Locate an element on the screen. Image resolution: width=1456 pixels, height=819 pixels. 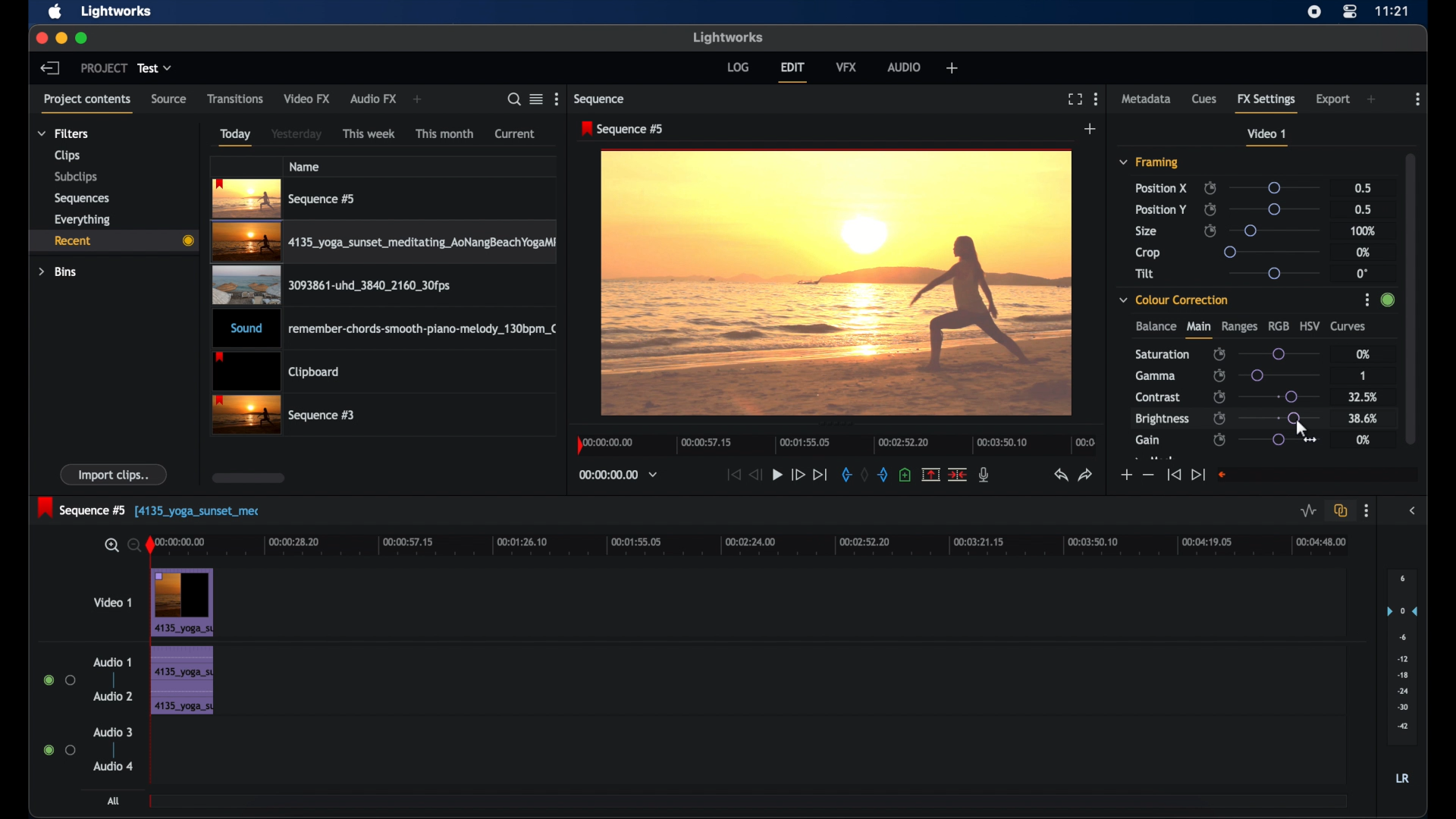
maximize is located at coordinates (83, 38).